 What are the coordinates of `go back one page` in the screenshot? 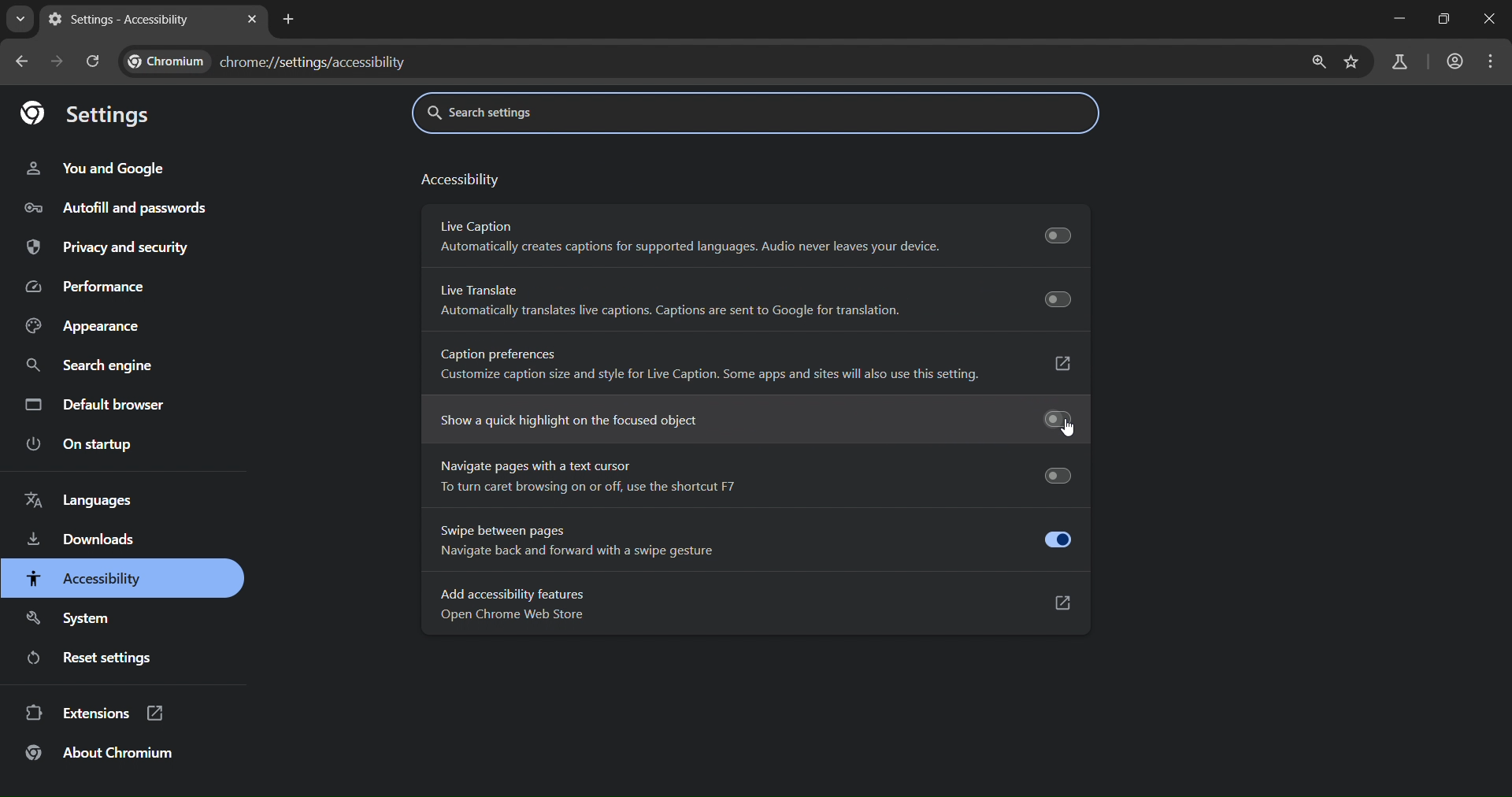 It's located at (20, 61).